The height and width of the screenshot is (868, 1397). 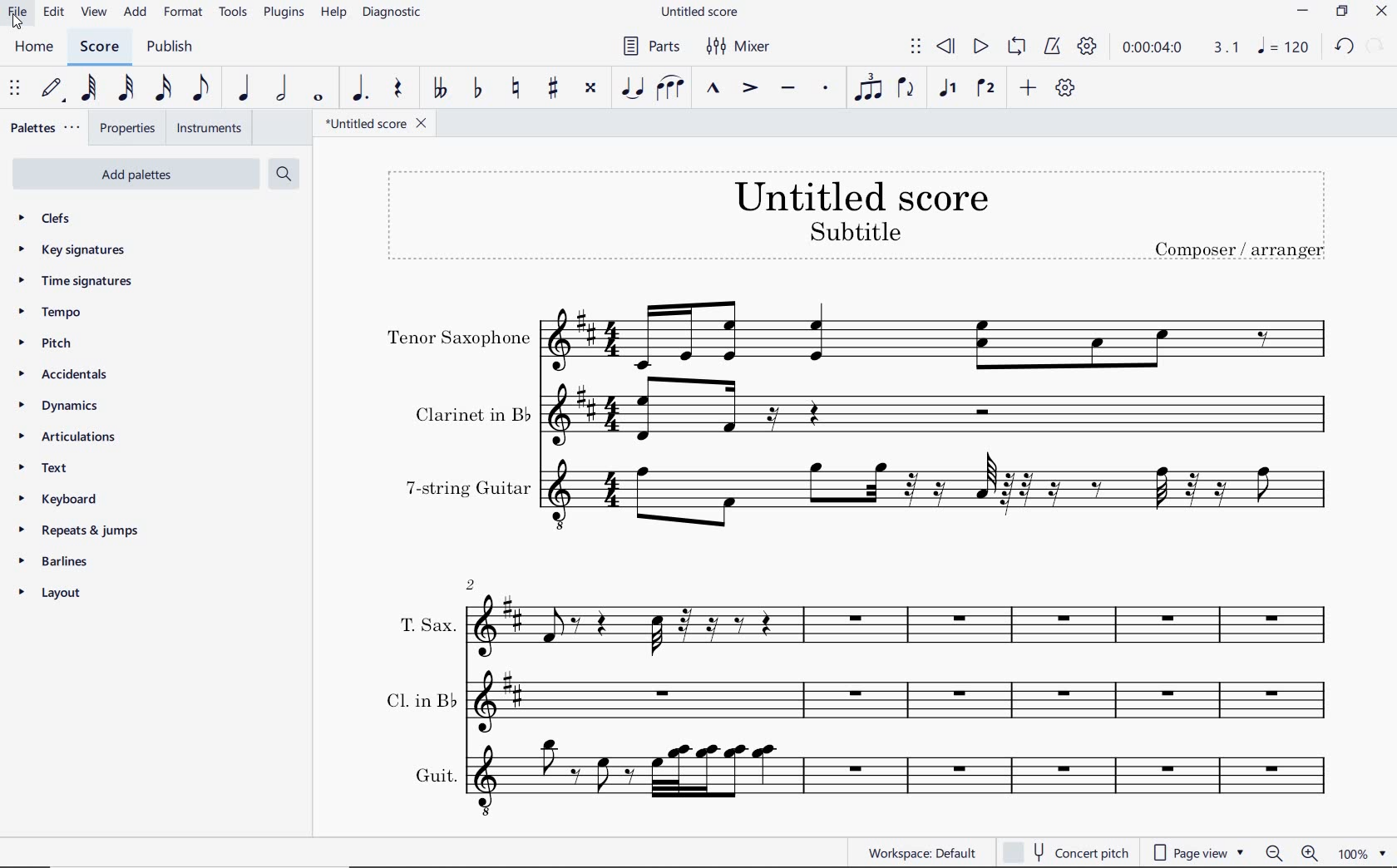 What do you see at coordinates (1376, 45) in the screenshot?
I see `REDO` at bounding box center [1376, 45].